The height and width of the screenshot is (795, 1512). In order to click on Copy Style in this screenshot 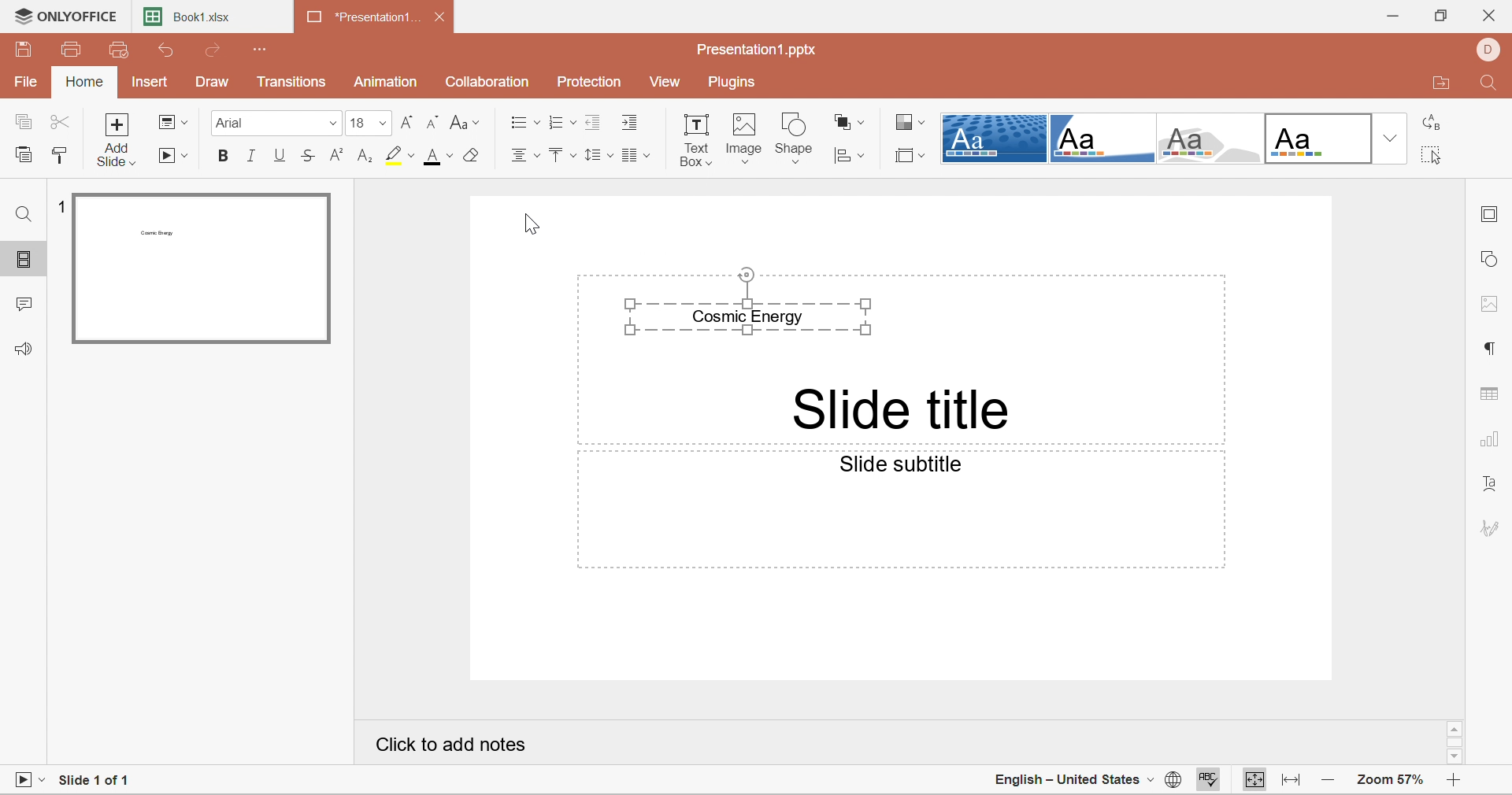, I will do `click(58, 156)`.